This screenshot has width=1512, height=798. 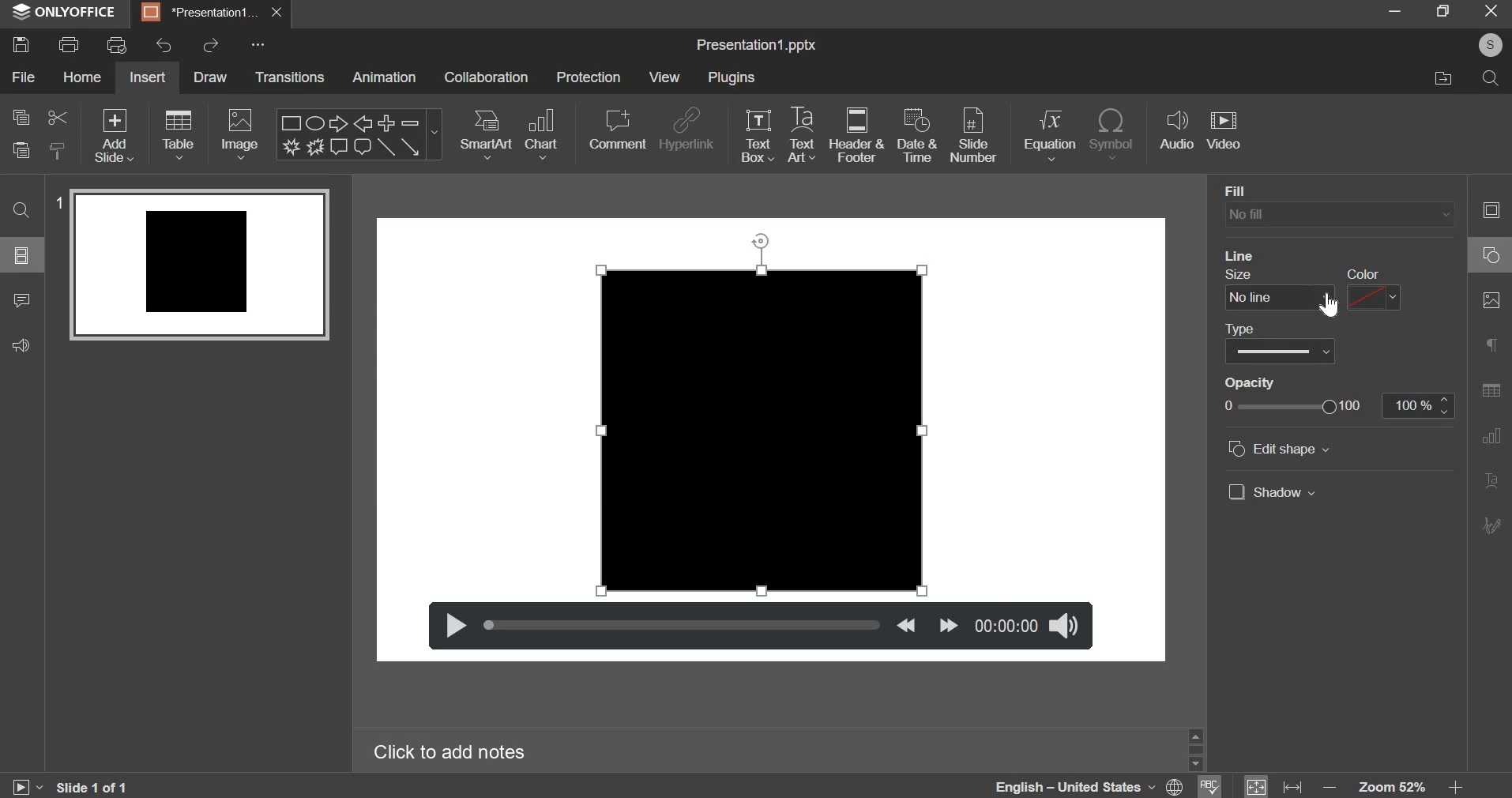 I want to click on Back arrow, so click(x=365, y=123).